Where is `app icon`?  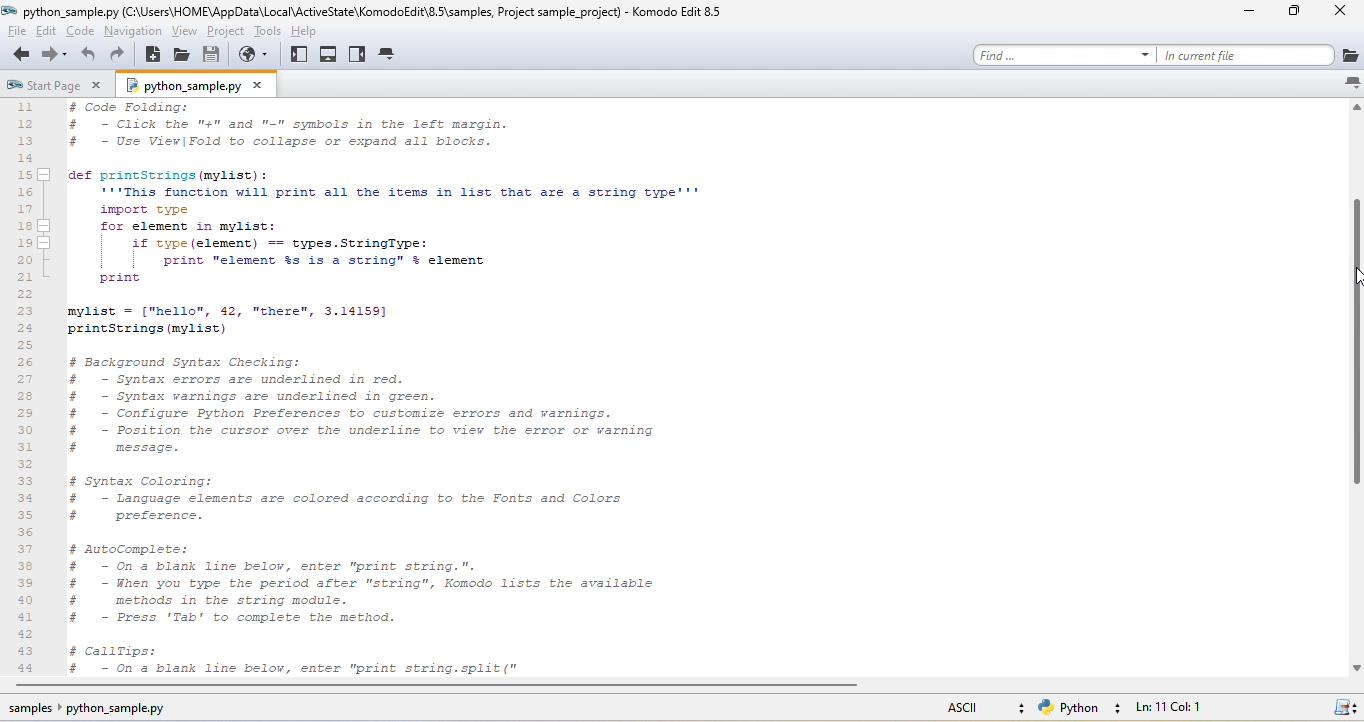 app icon is located at coordinates (10, 11).